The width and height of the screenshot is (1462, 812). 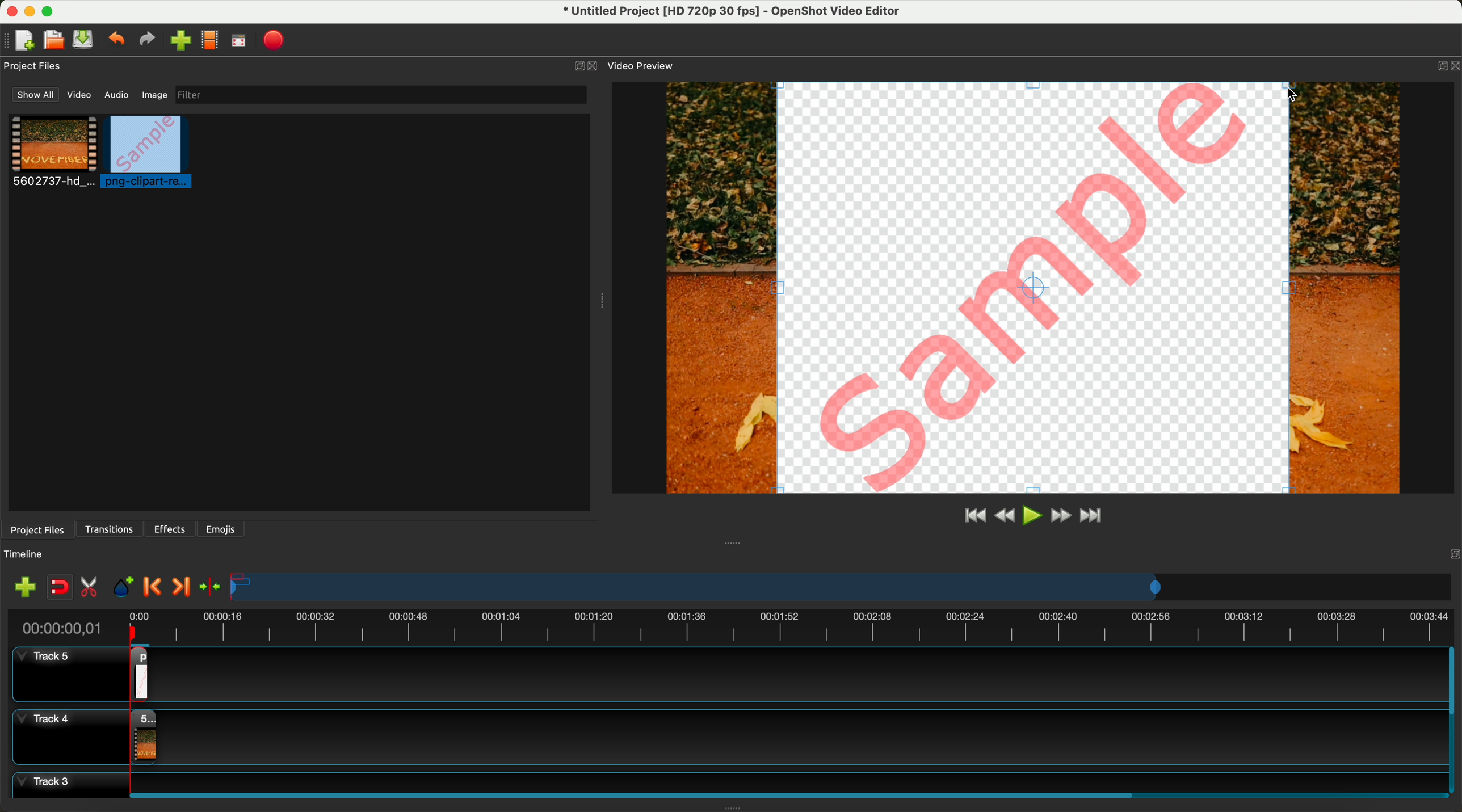 What do you see at coordinates (150, 153) in the screenshot?
I see `click on image` at bounding box center [150, 153].